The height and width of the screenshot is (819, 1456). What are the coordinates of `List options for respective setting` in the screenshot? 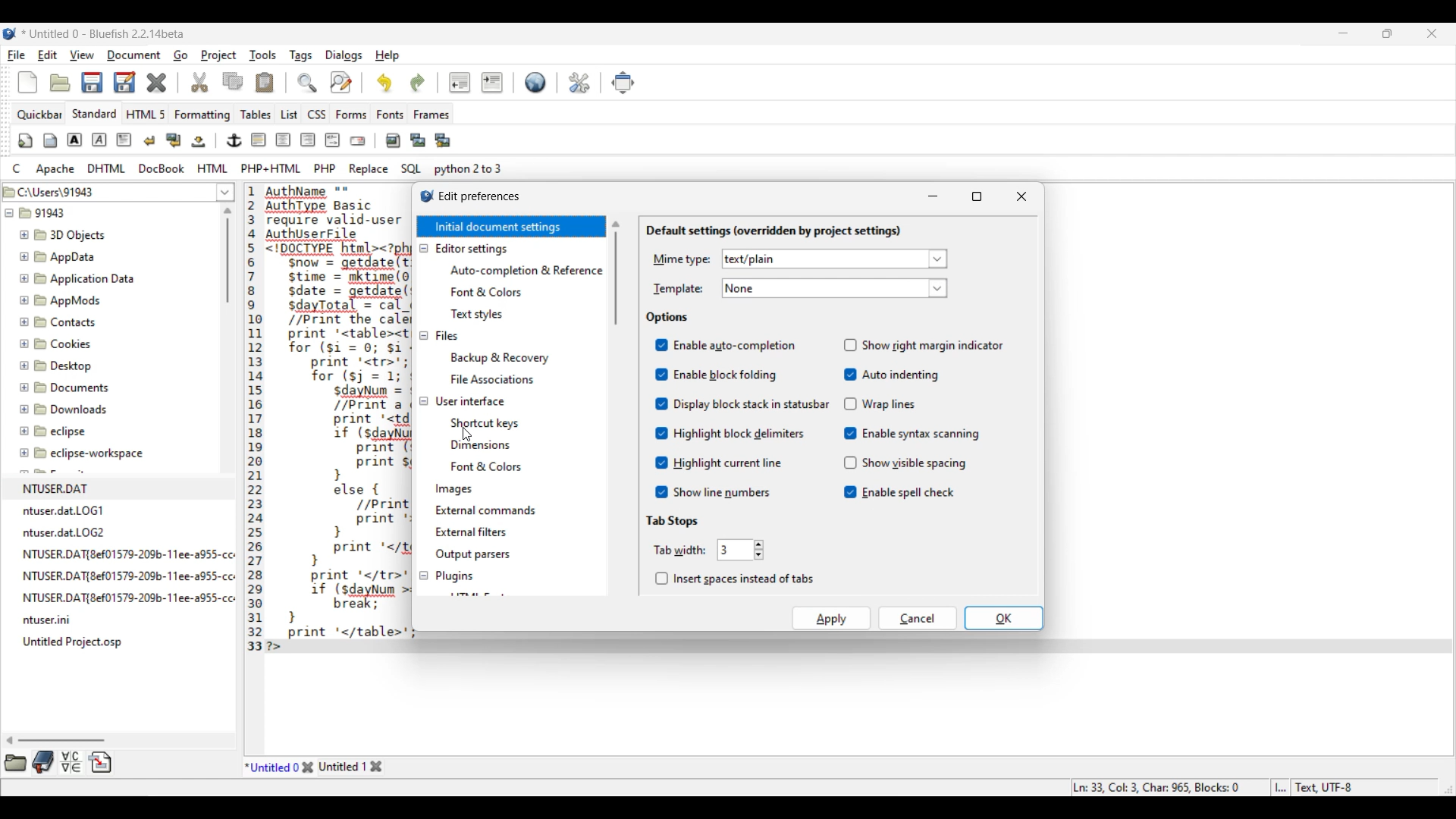 It's located at (938, 274).